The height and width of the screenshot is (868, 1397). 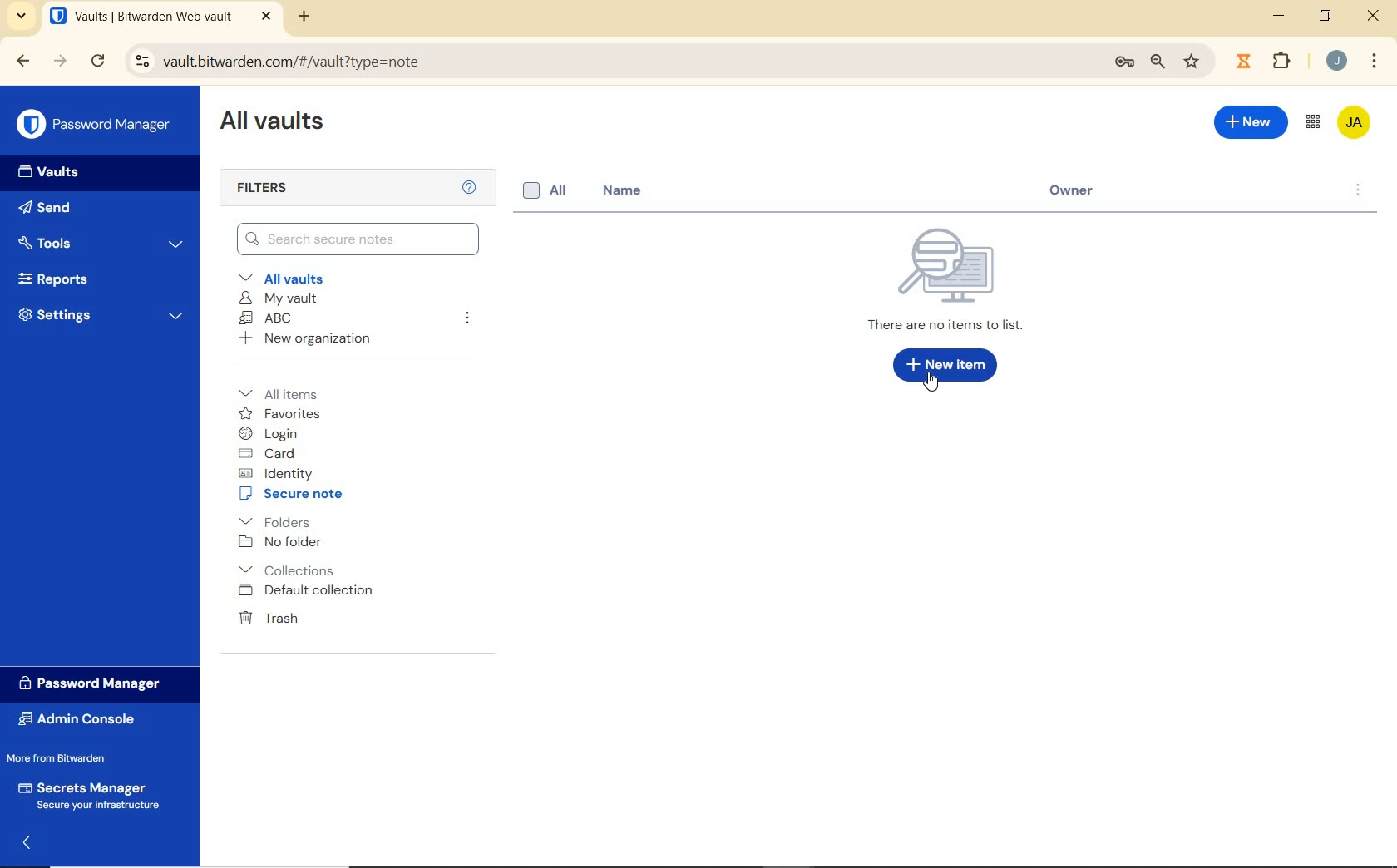 I want to click on New organization, so click(x=306, y=338).